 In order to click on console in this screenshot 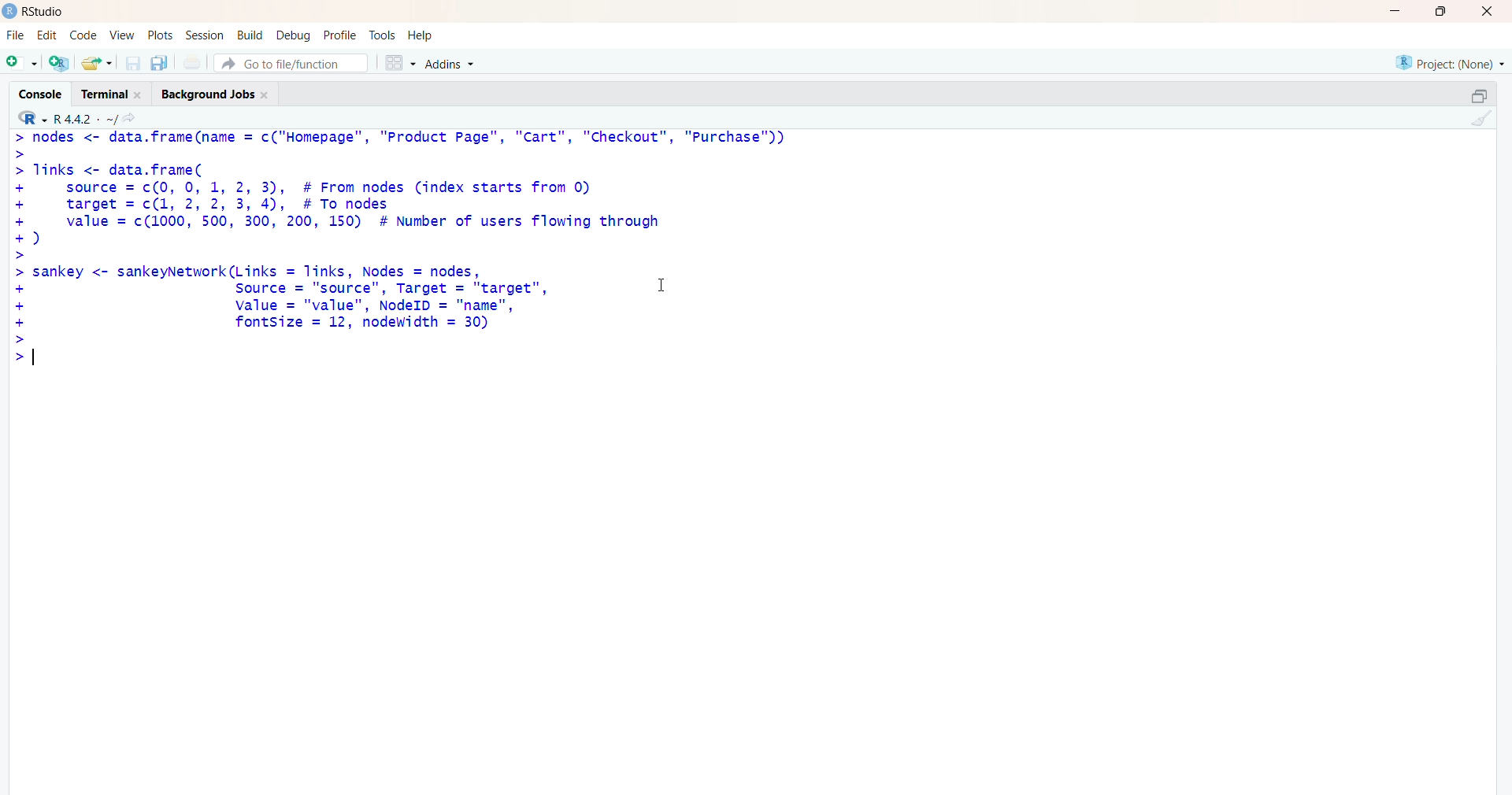, I will do `click(34, 90)`.